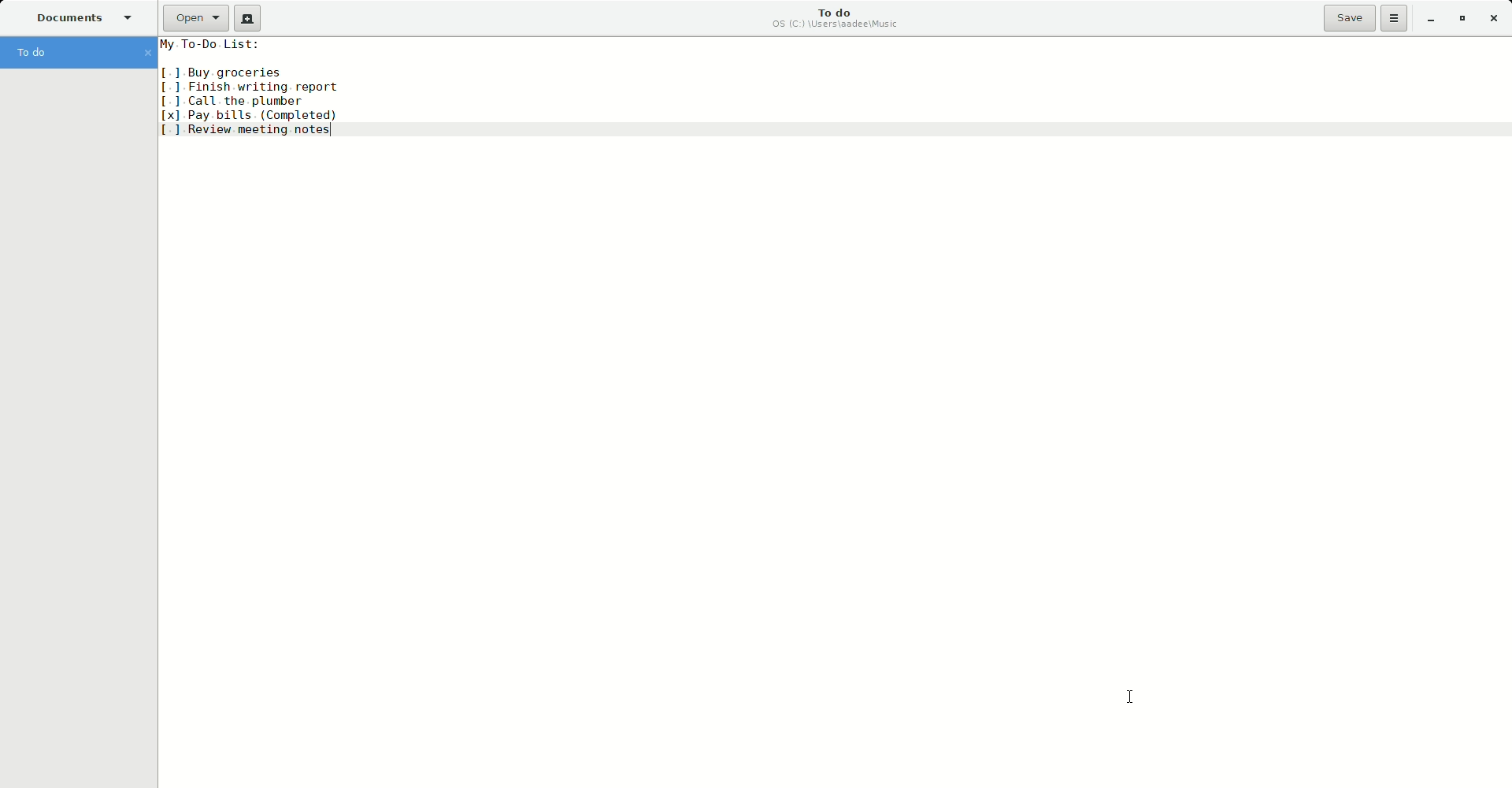 The height and width of the screenshot is (788, 1512). Describe the element at coordinates (85, 17) in the screenshot. I see `Documents` at that location.